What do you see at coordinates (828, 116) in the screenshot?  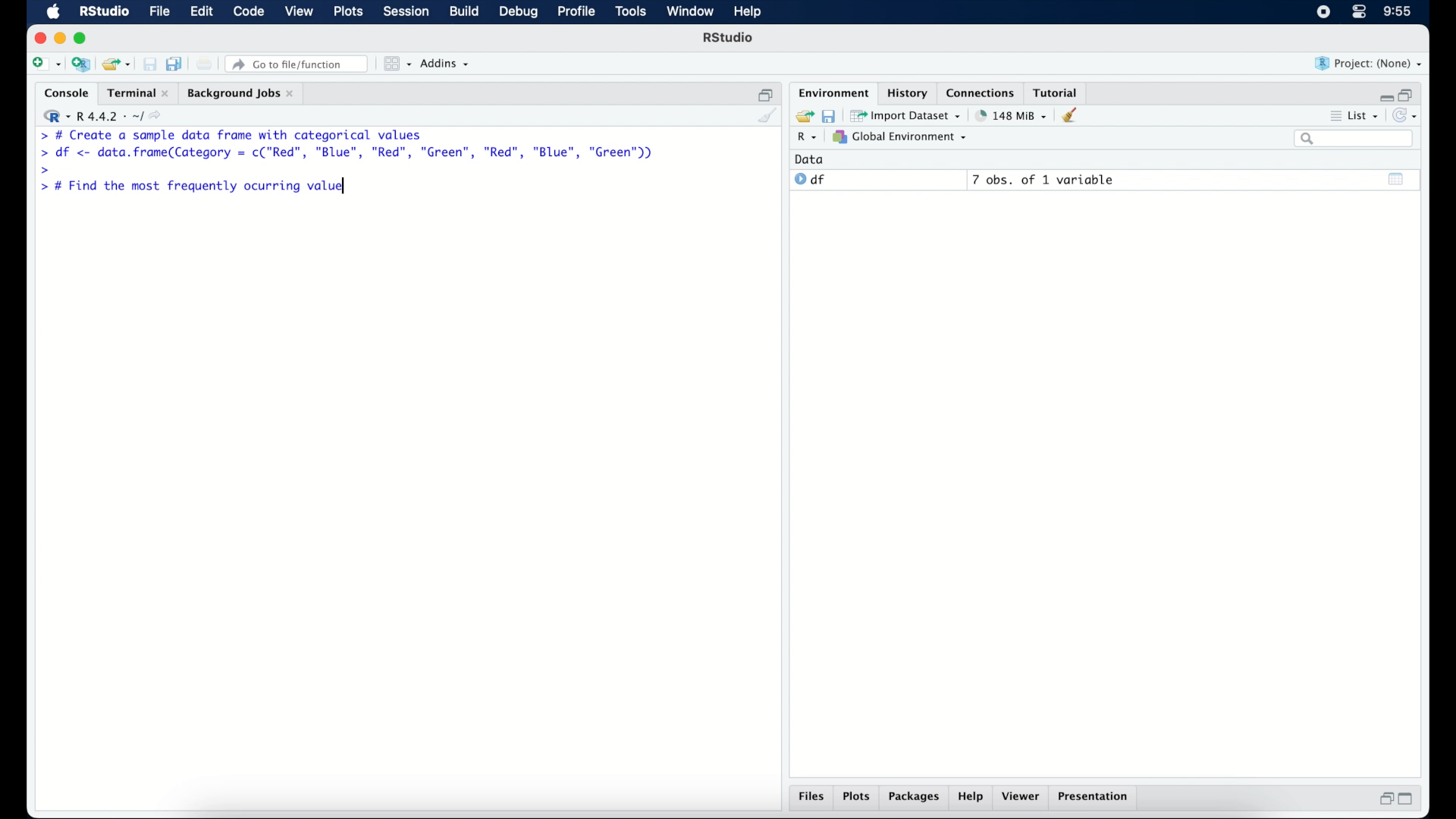 I see `save` at bounding box center [828, 116].